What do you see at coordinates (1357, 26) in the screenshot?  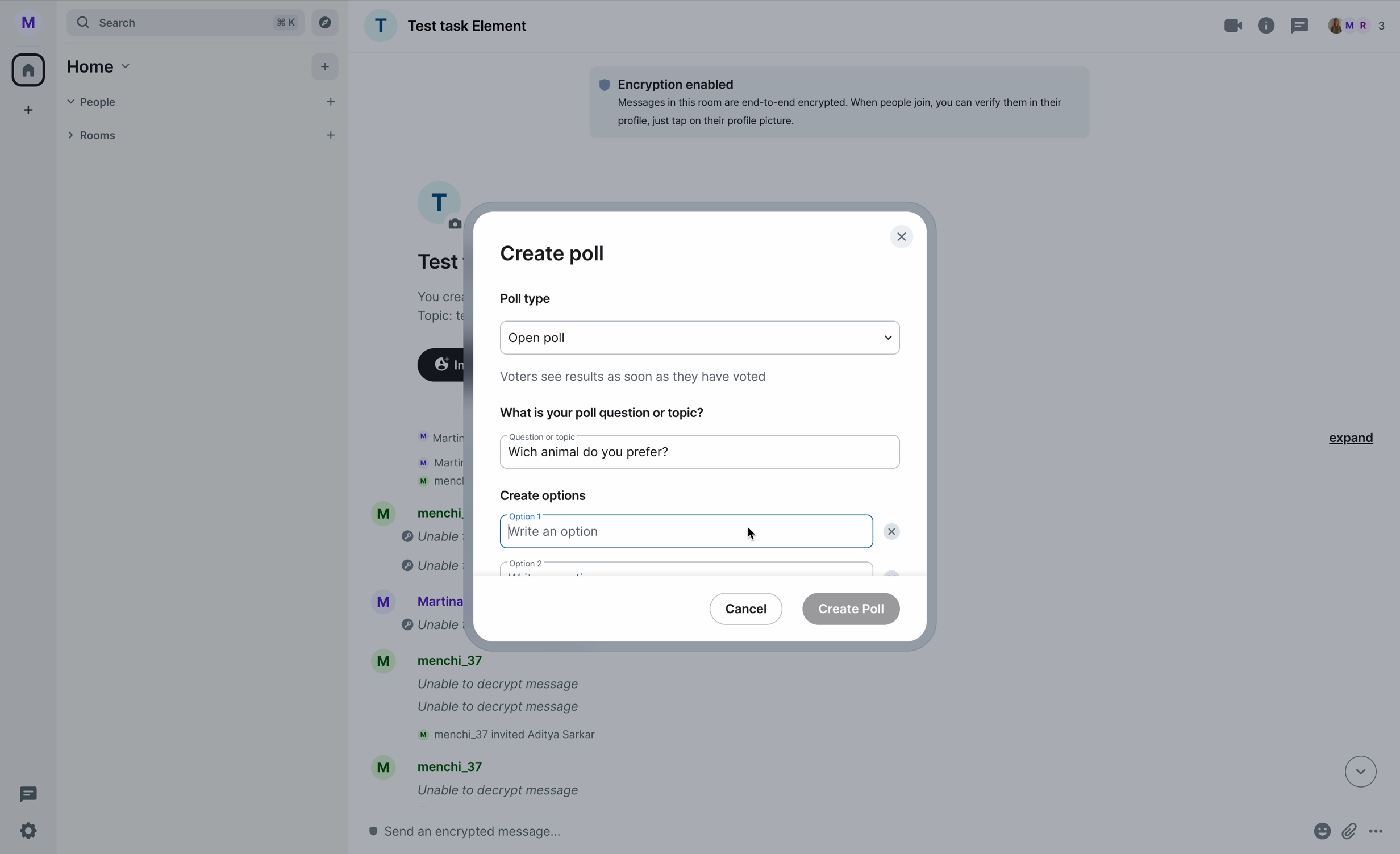 I see `people` at bounding box center [1357, 26].